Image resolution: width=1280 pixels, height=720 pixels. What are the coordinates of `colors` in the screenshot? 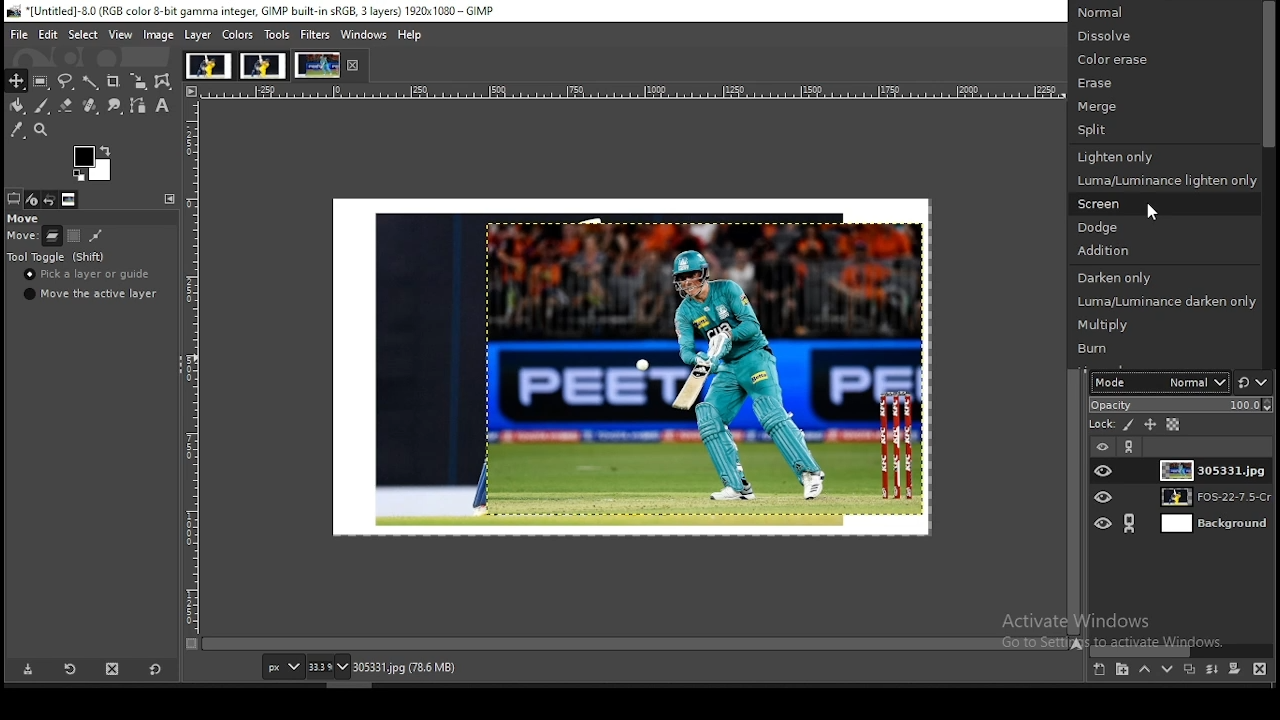 It's located at (238, 35).